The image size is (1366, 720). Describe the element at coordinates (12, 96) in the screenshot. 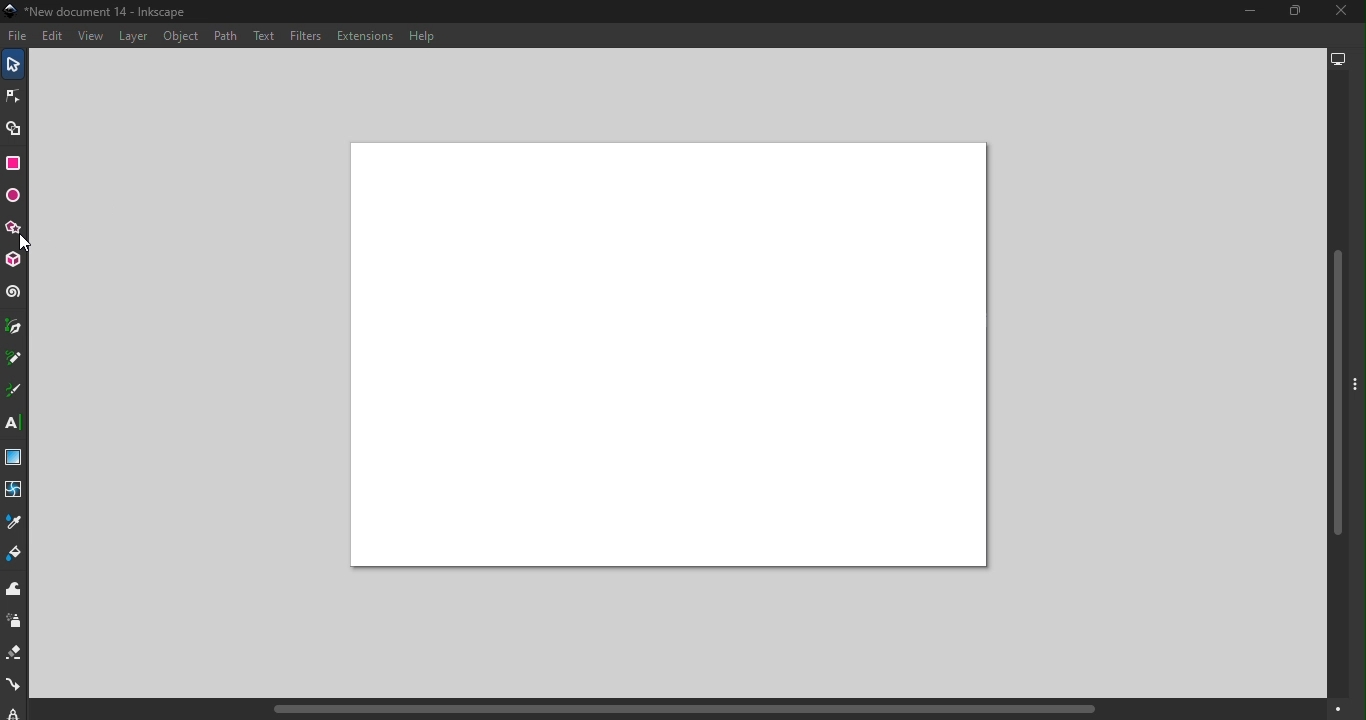

I see `Node tool` at that location.